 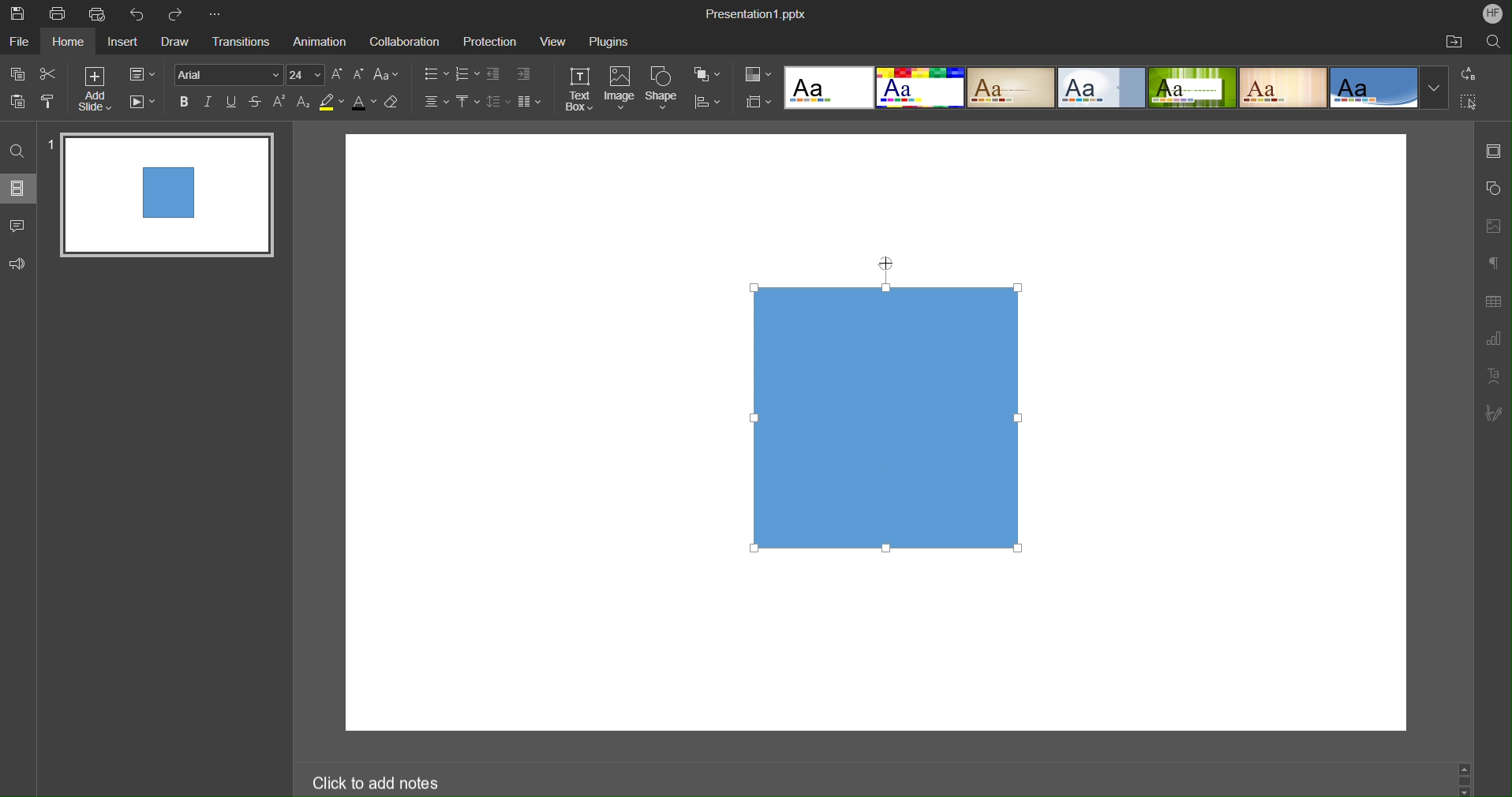 I want to click on Columns, so click(x=530, y=103).